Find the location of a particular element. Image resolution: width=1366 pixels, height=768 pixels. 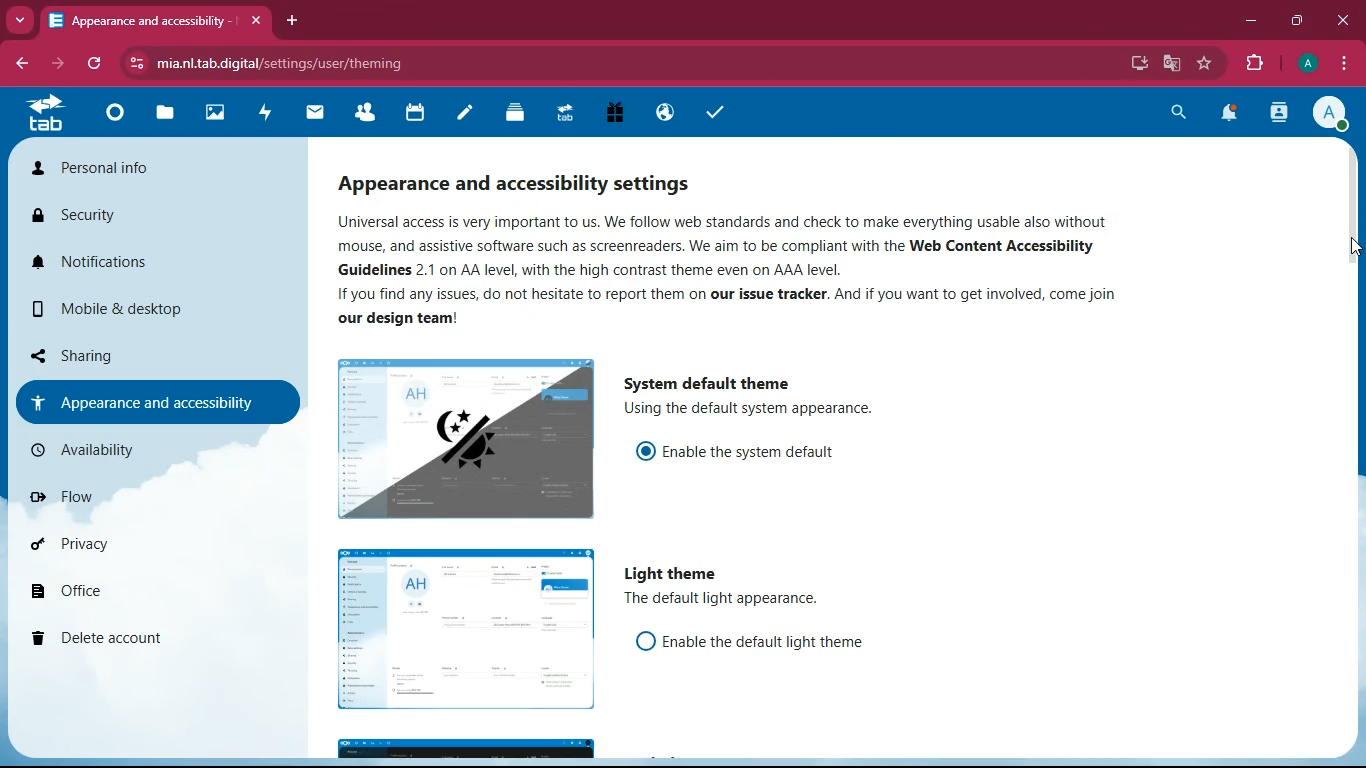

home is located at coordinates (114, 118).